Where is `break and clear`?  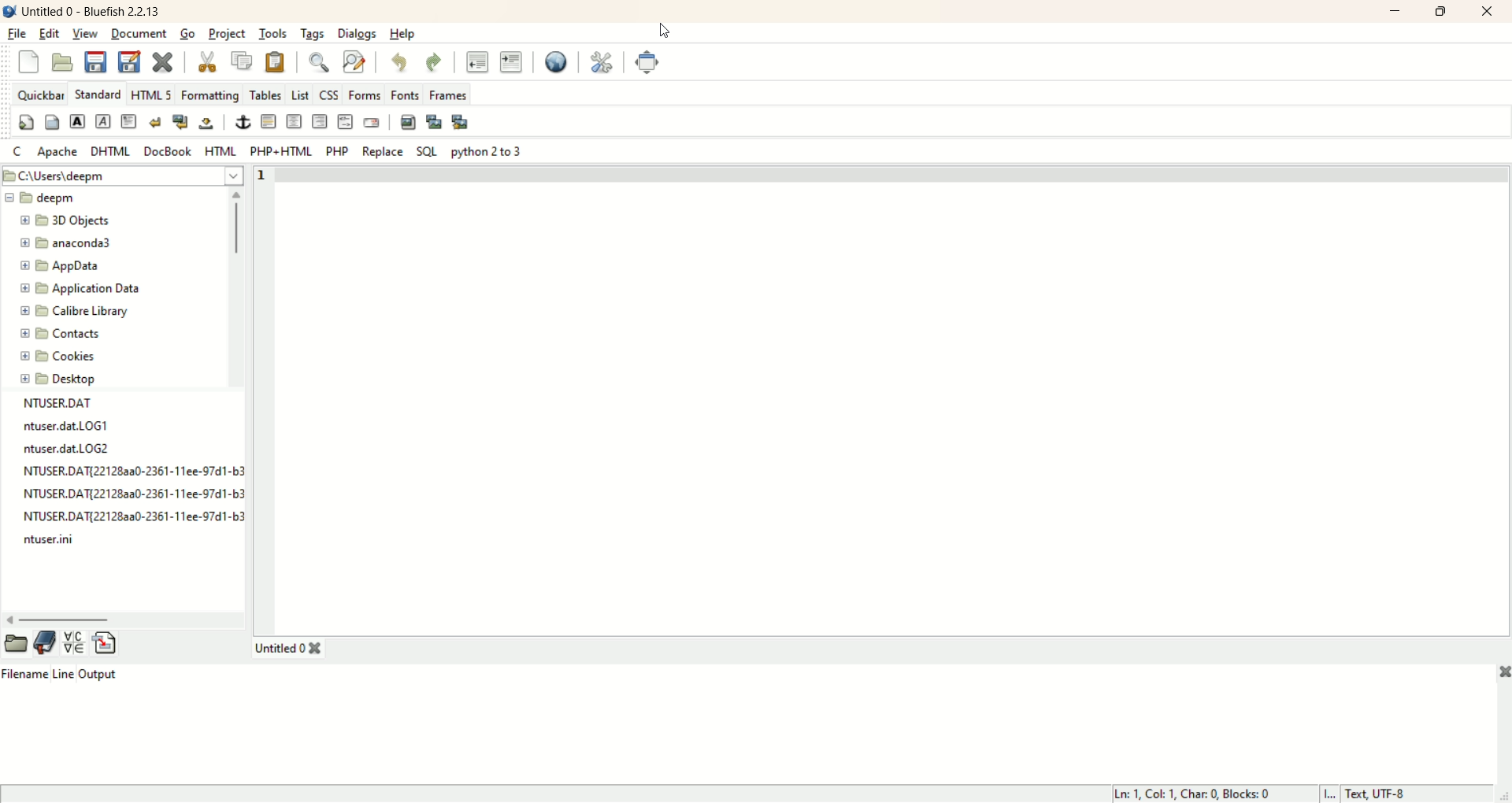
break and clear is located at coordinates (180, 123).